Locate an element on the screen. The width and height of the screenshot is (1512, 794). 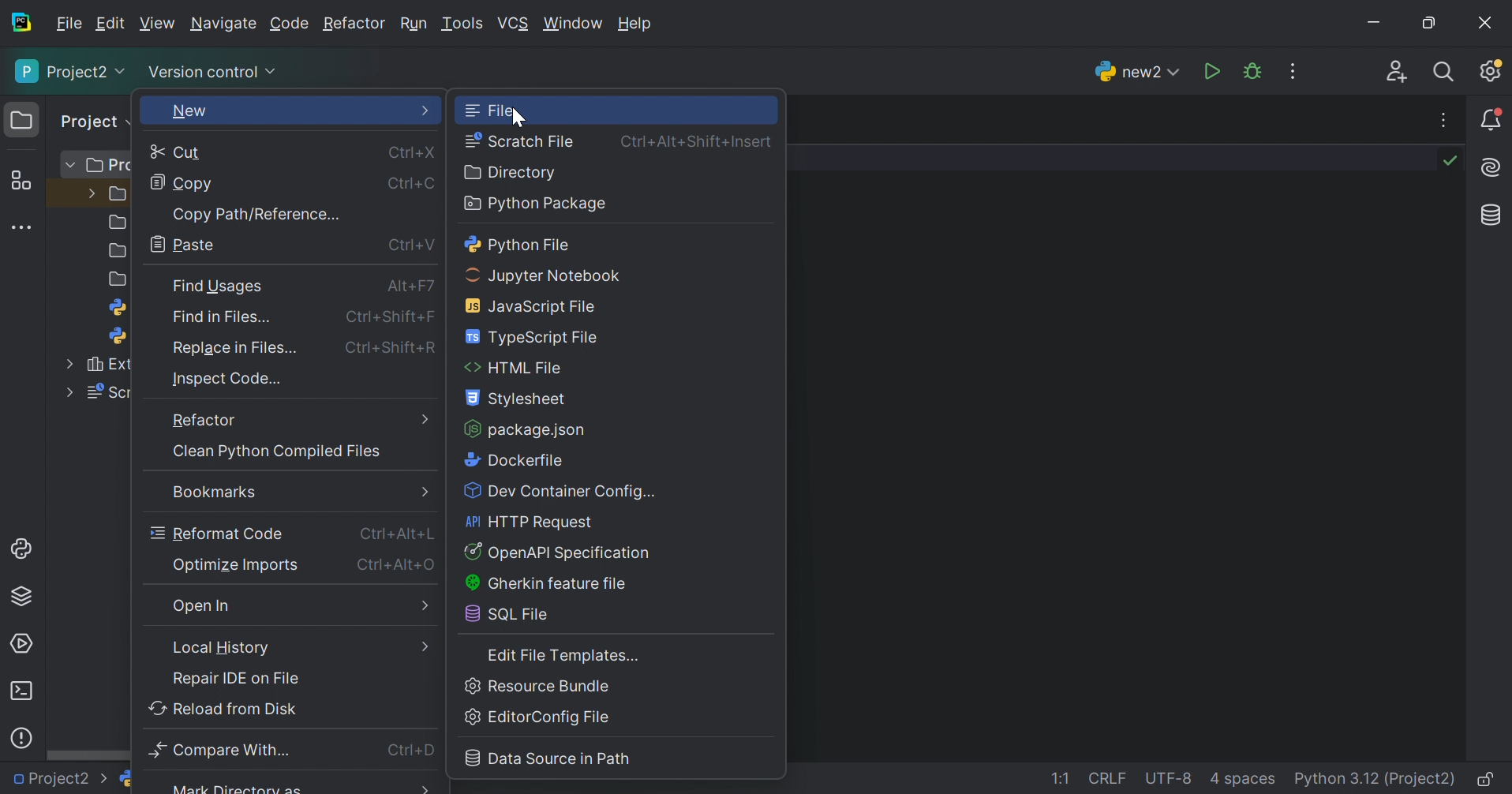
Database is located at coordinates (1488, 215).